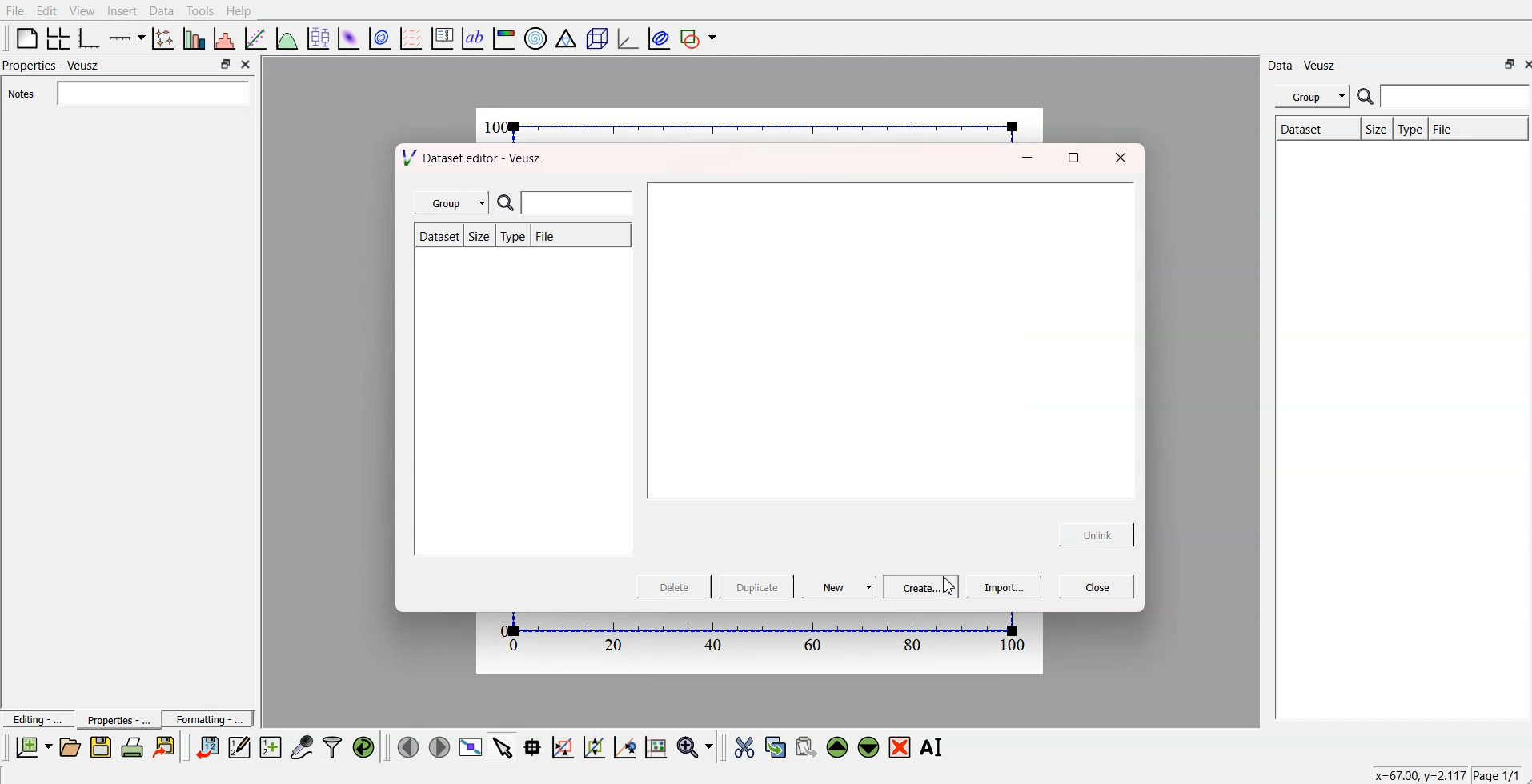  Describe the element at coordinates (406, 746) in the screenshot. I see `Move to previous page` at that location.